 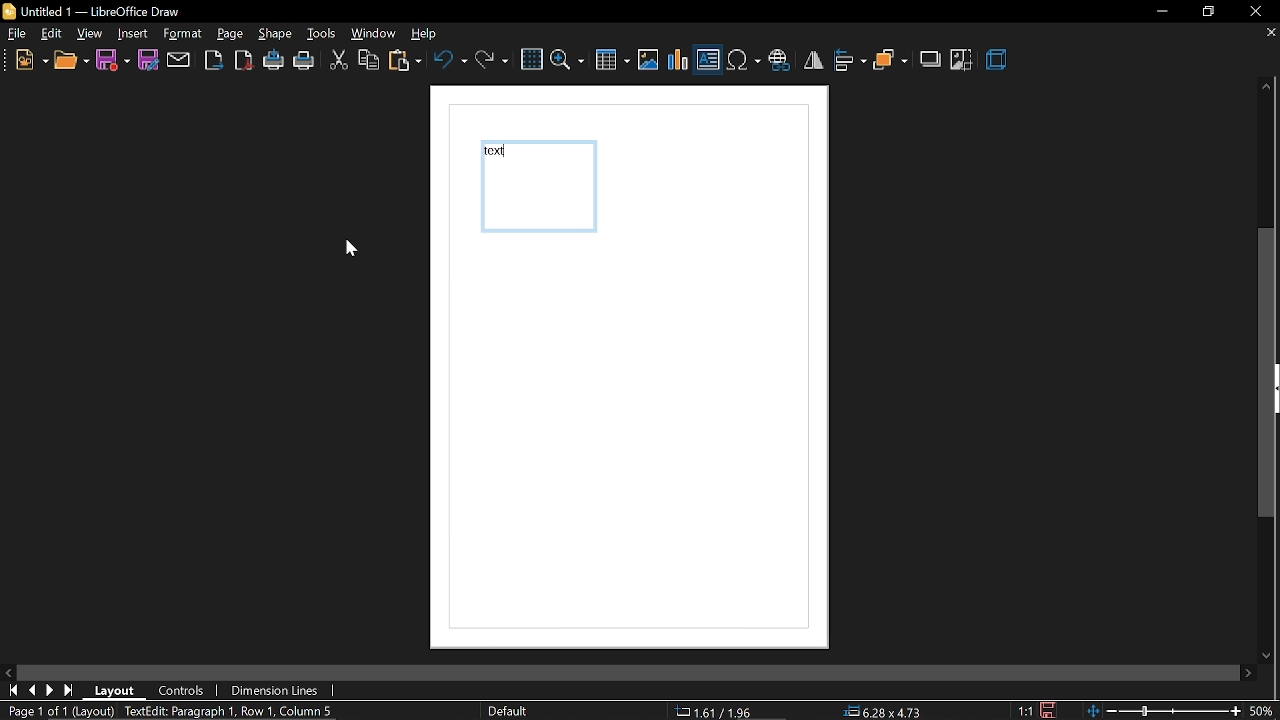 What do you see at coordinates (511, 711) in the screenshot?
I see `page style` at bounding box center [511, 711].